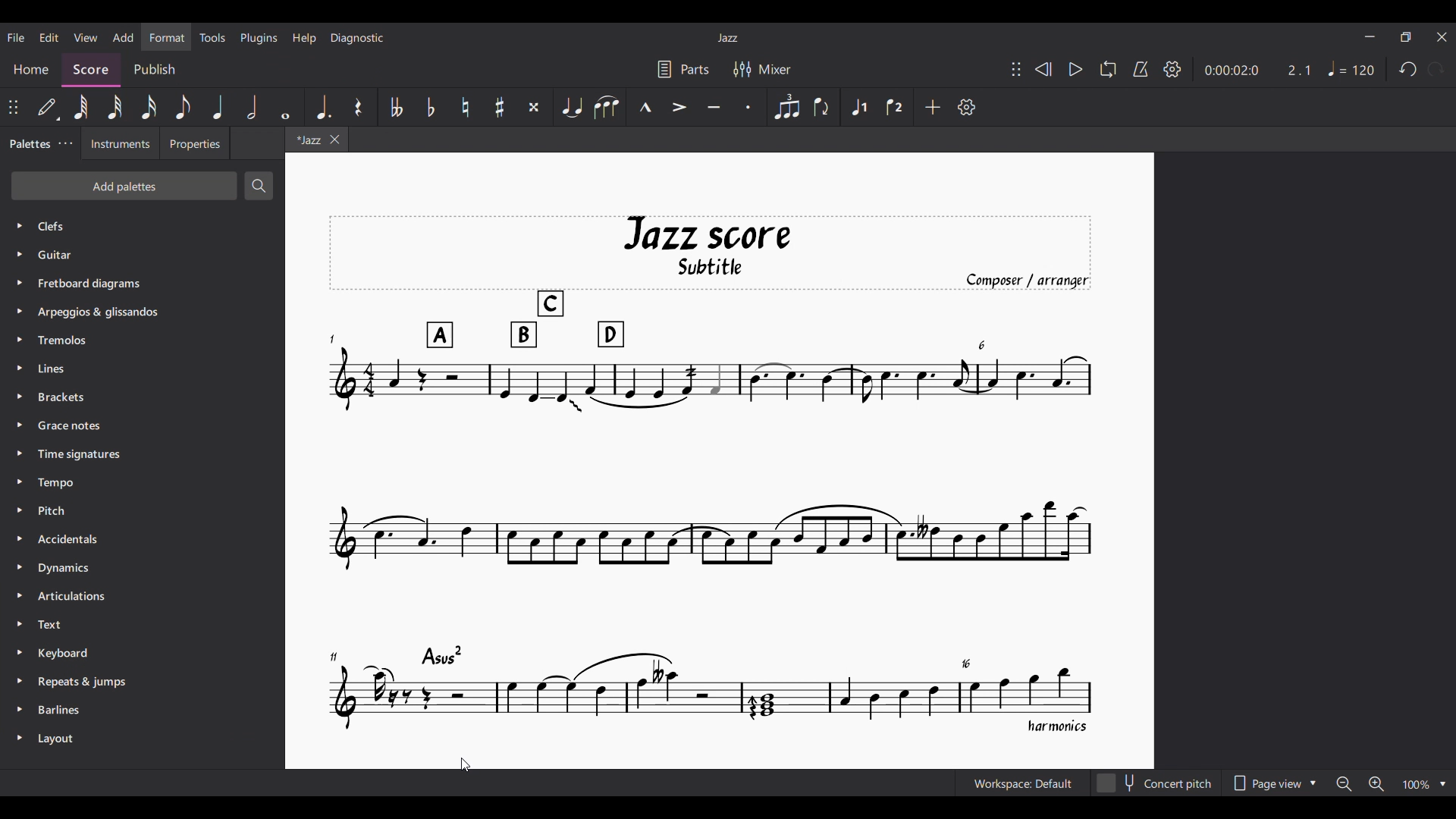 Image resolution: width=1456 pixels, height=819 pixels. Describe the element at coordinates (932, 107) in the screenshot. I see `Add` at that location.